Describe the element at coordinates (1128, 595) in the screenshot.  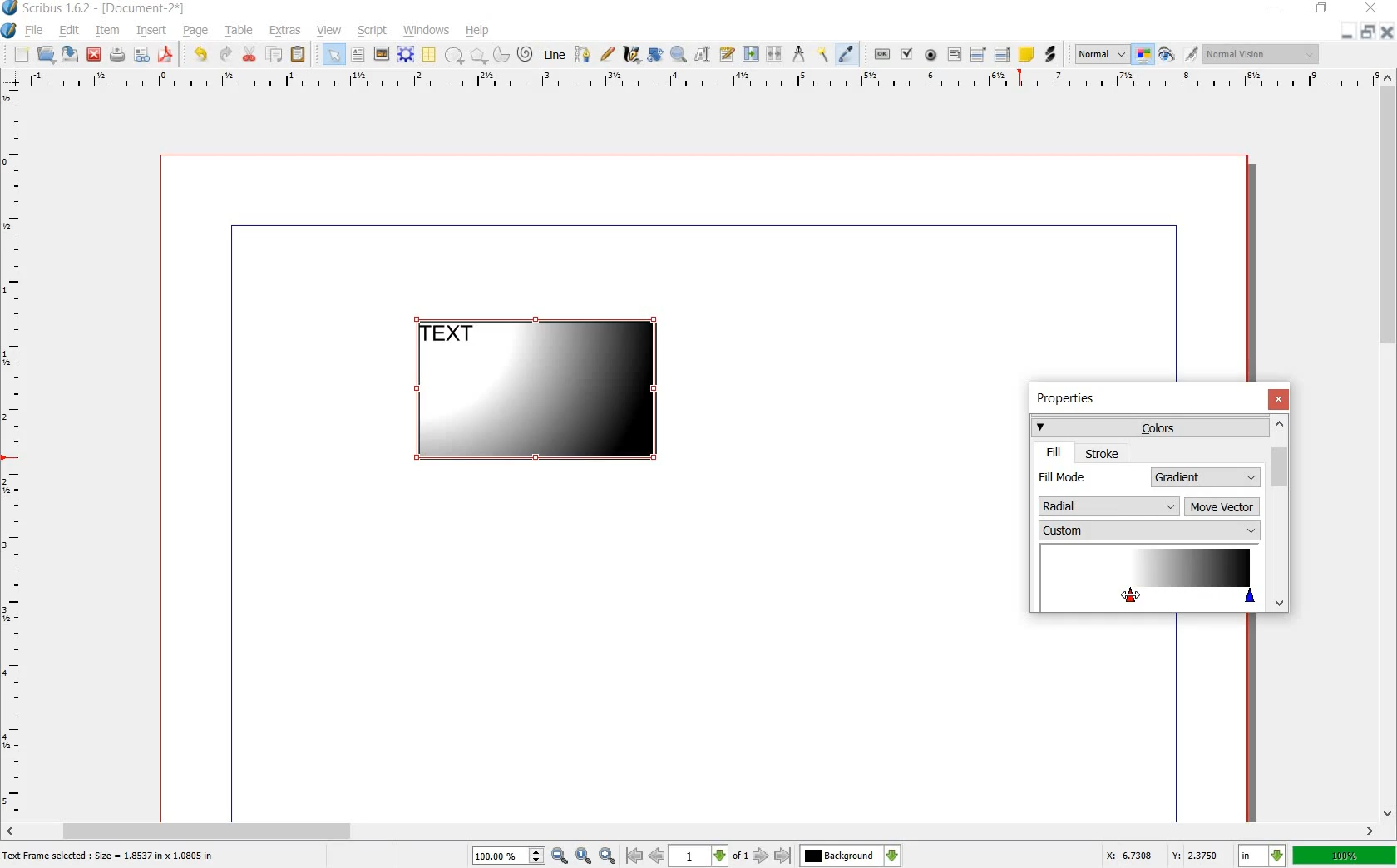
I see `dragging cursor to create glowing effect` at that location.